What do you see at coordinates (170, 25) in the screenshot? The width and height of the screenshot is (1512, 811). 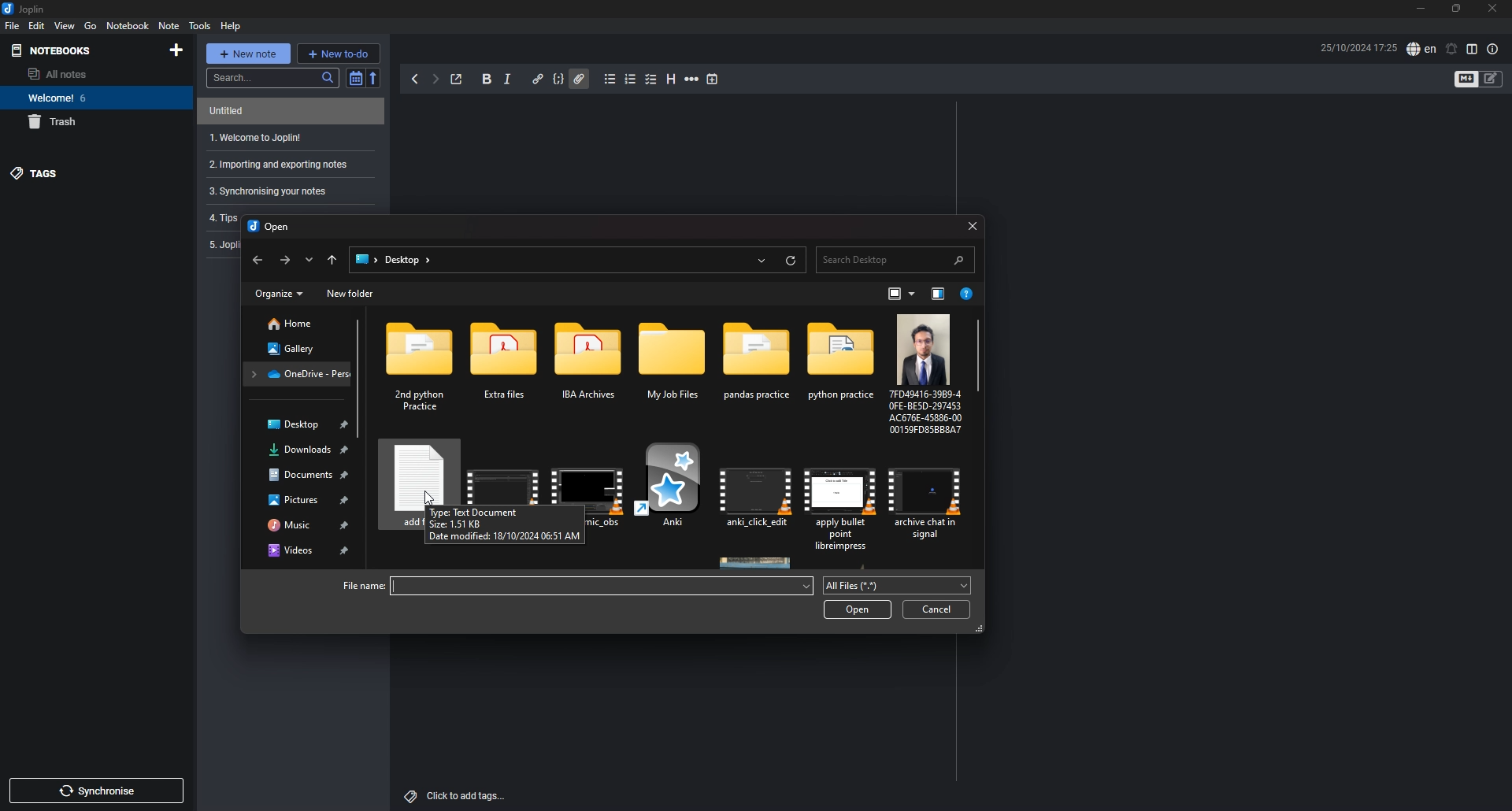 I see `note` at bounding box center [170, 25].